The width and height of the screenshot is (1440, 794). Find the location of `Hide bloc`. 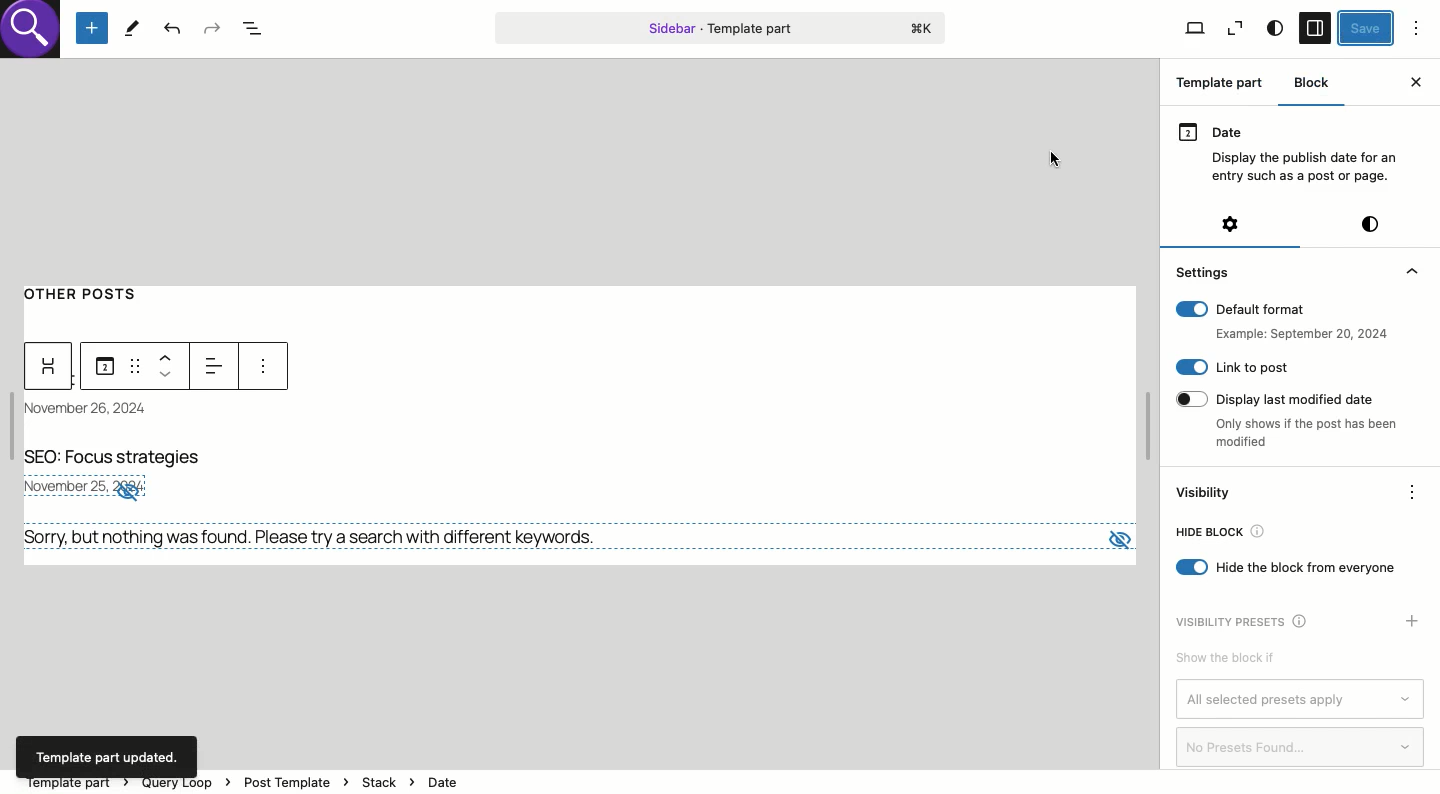

Hide bloc is located at coordinates (1219, 534).